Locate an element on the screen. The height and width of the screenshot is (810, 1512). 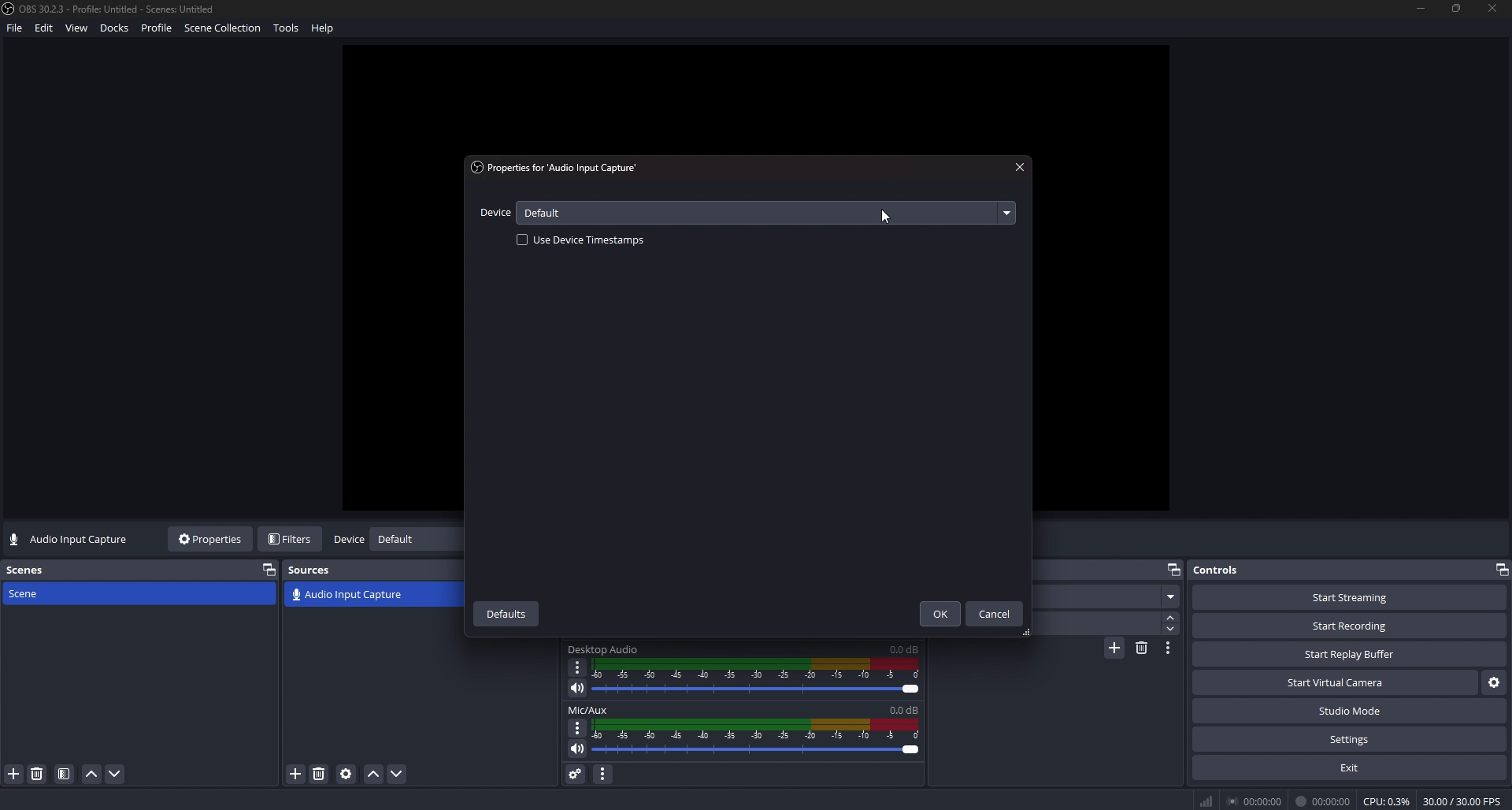
move source down is located at coordinates (395, 775).